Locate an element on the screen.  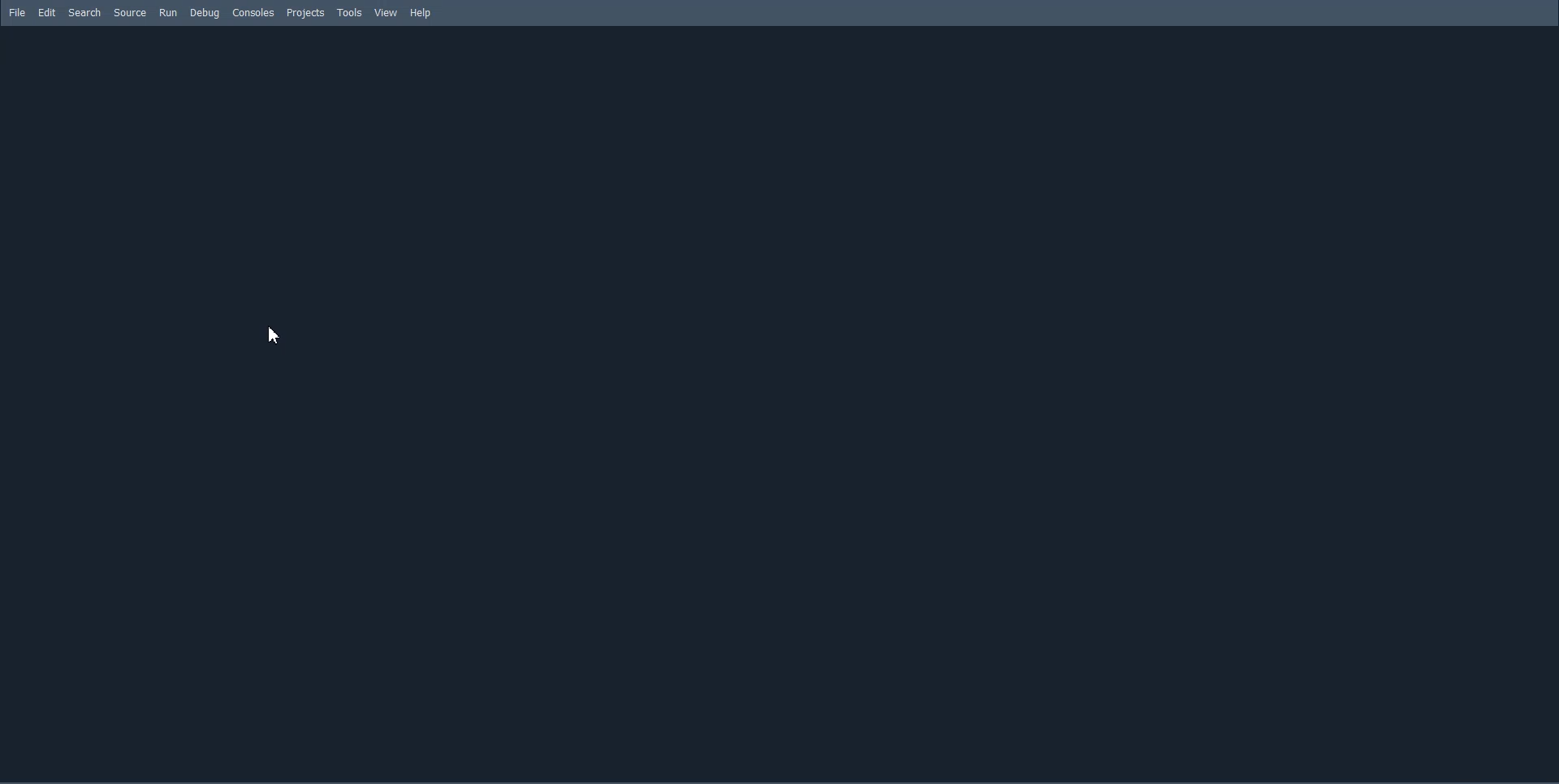
Help is located at coordinates (421, 12).